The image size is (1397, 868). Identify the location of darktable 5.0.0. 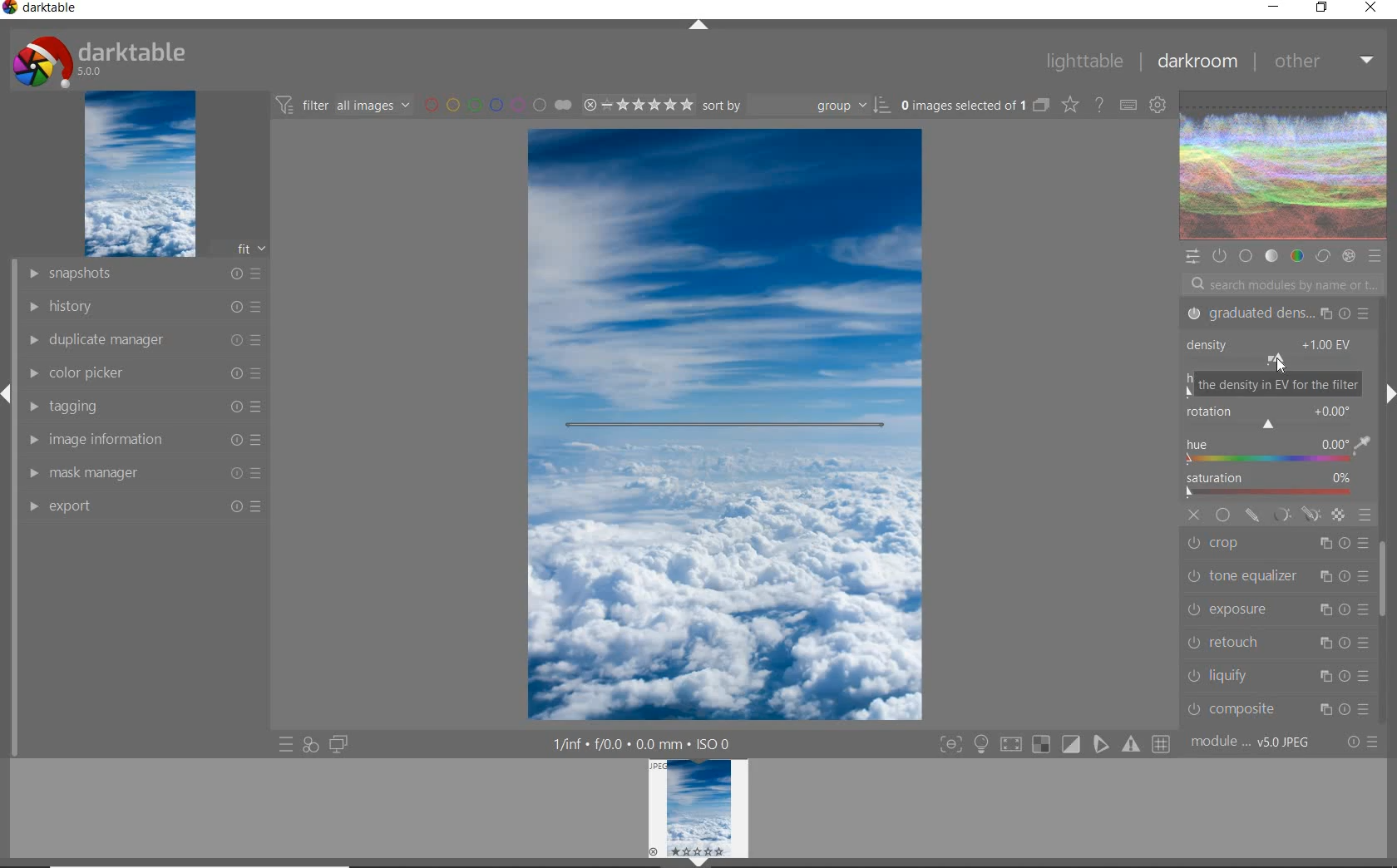
(96, 58).